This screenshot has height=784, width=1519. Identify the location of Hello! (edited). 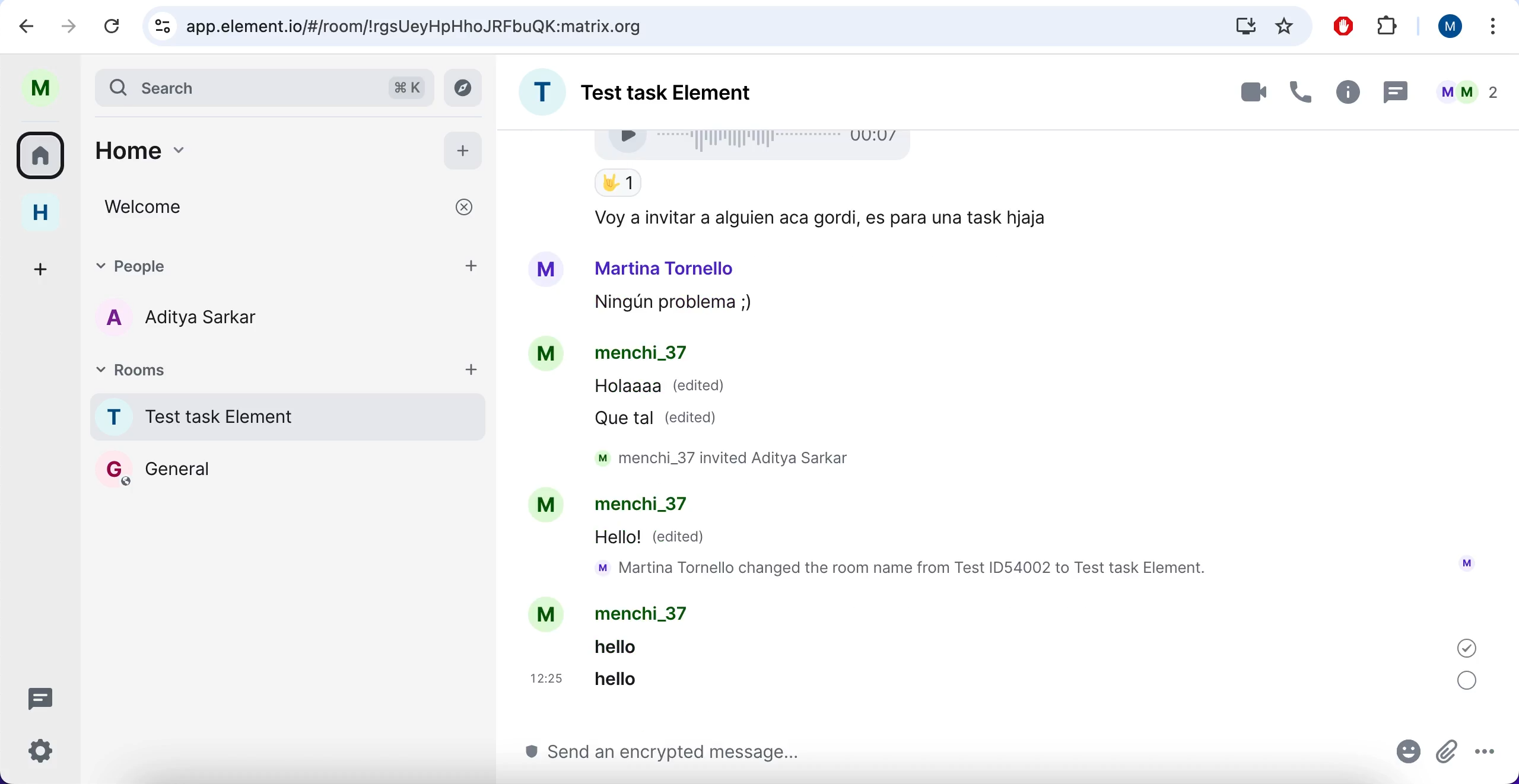
(654, 535).